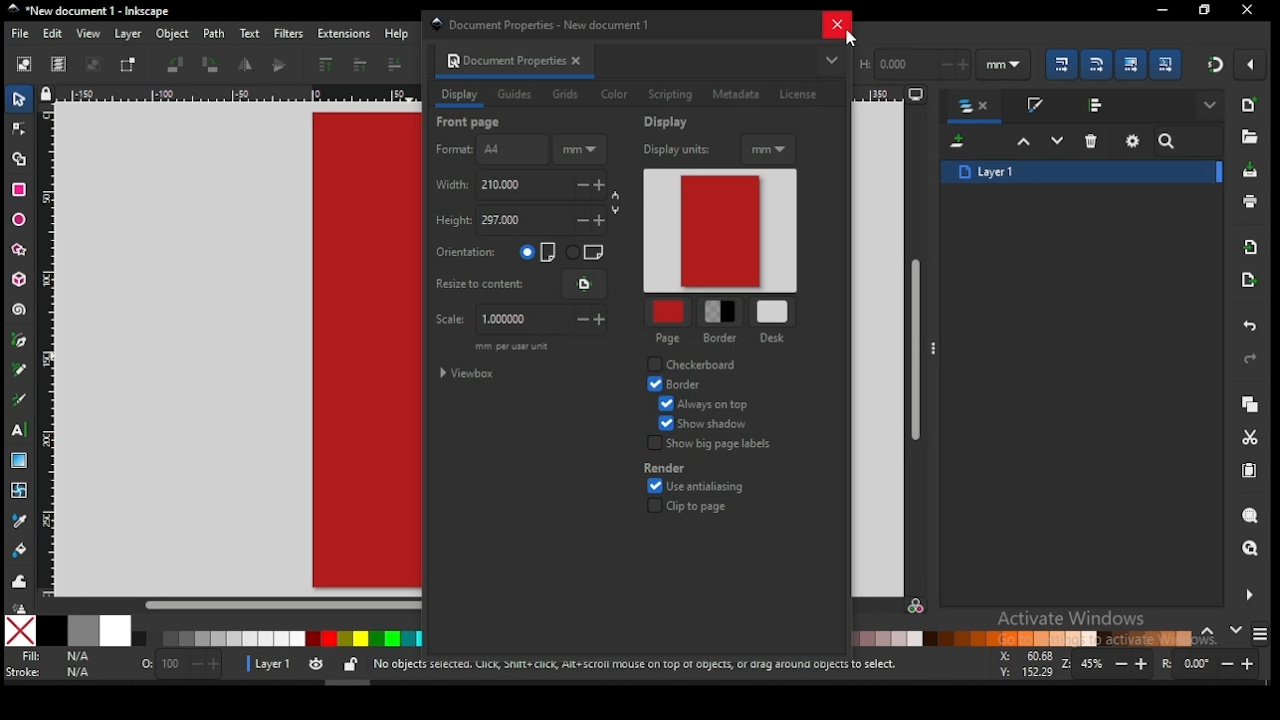 The width and height of the screenshot is (1280, 720). What do you see at coordinates (357, 66) in the screenshot?
I see `raise` at bounding box center [357, 66].